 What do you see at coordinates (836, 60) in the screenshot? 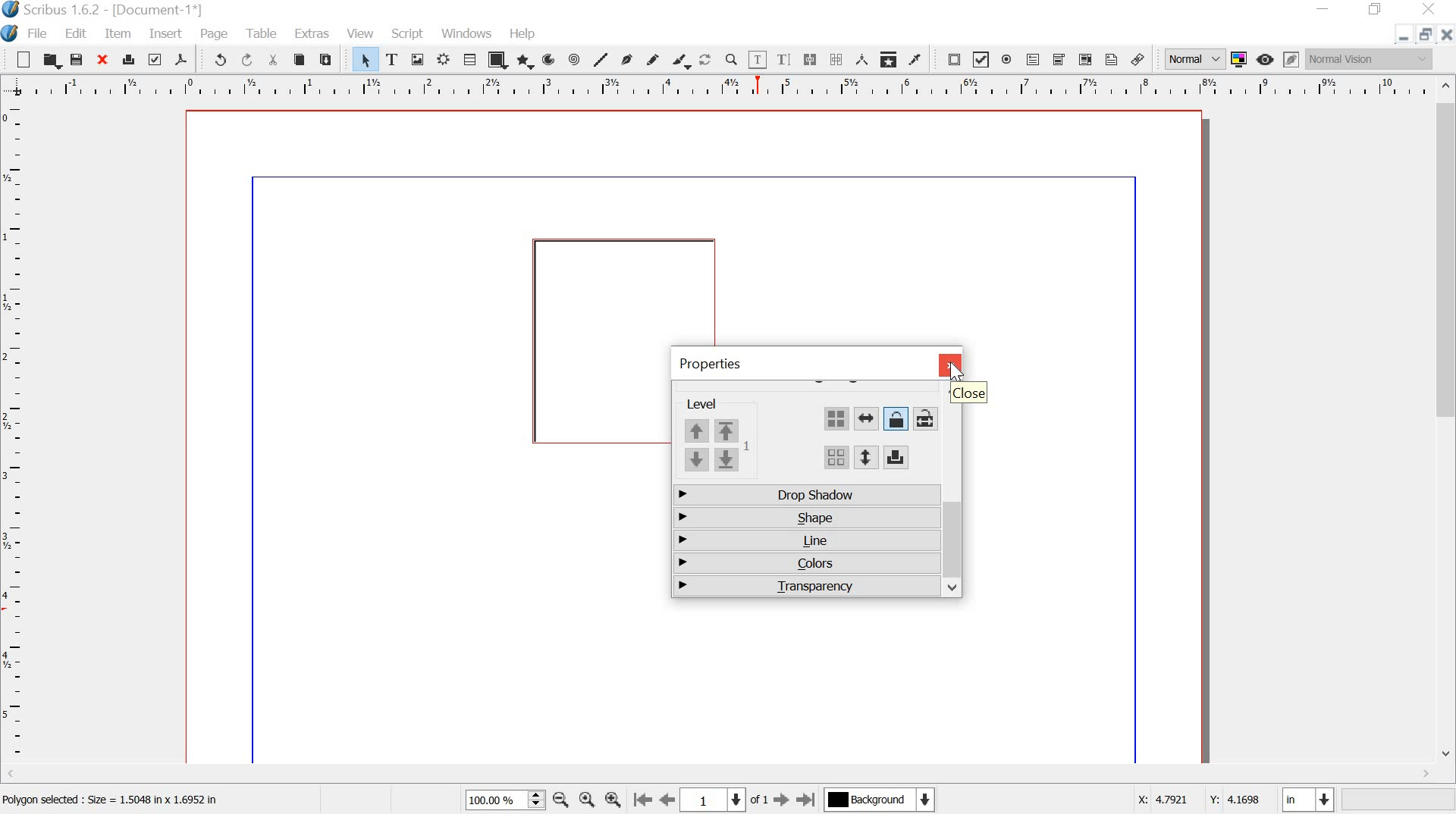
I see `unlink text frames` at bounding box center [836, 60].